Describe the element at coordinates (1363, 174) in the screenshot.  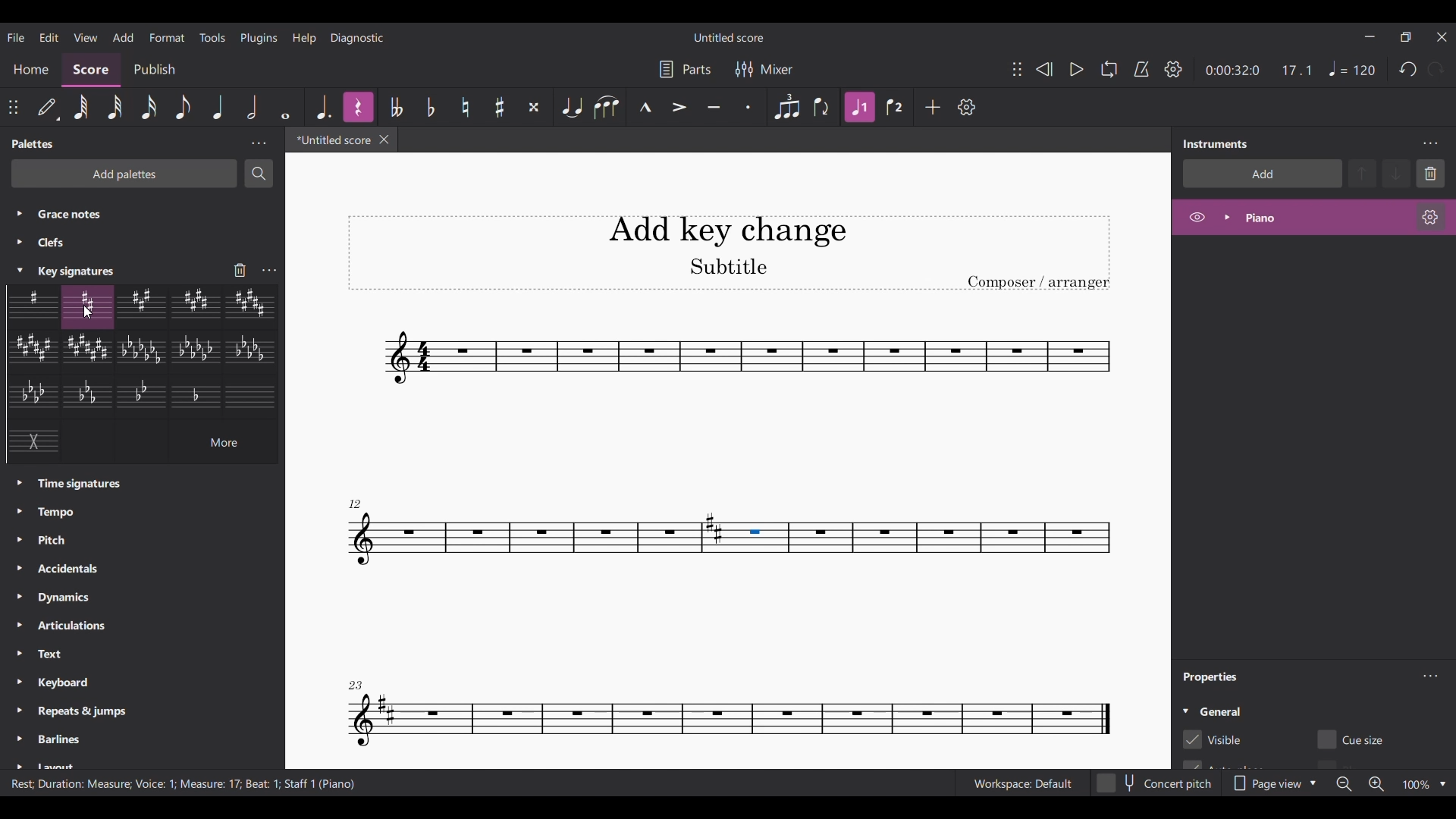
I see `Move up` at that location.